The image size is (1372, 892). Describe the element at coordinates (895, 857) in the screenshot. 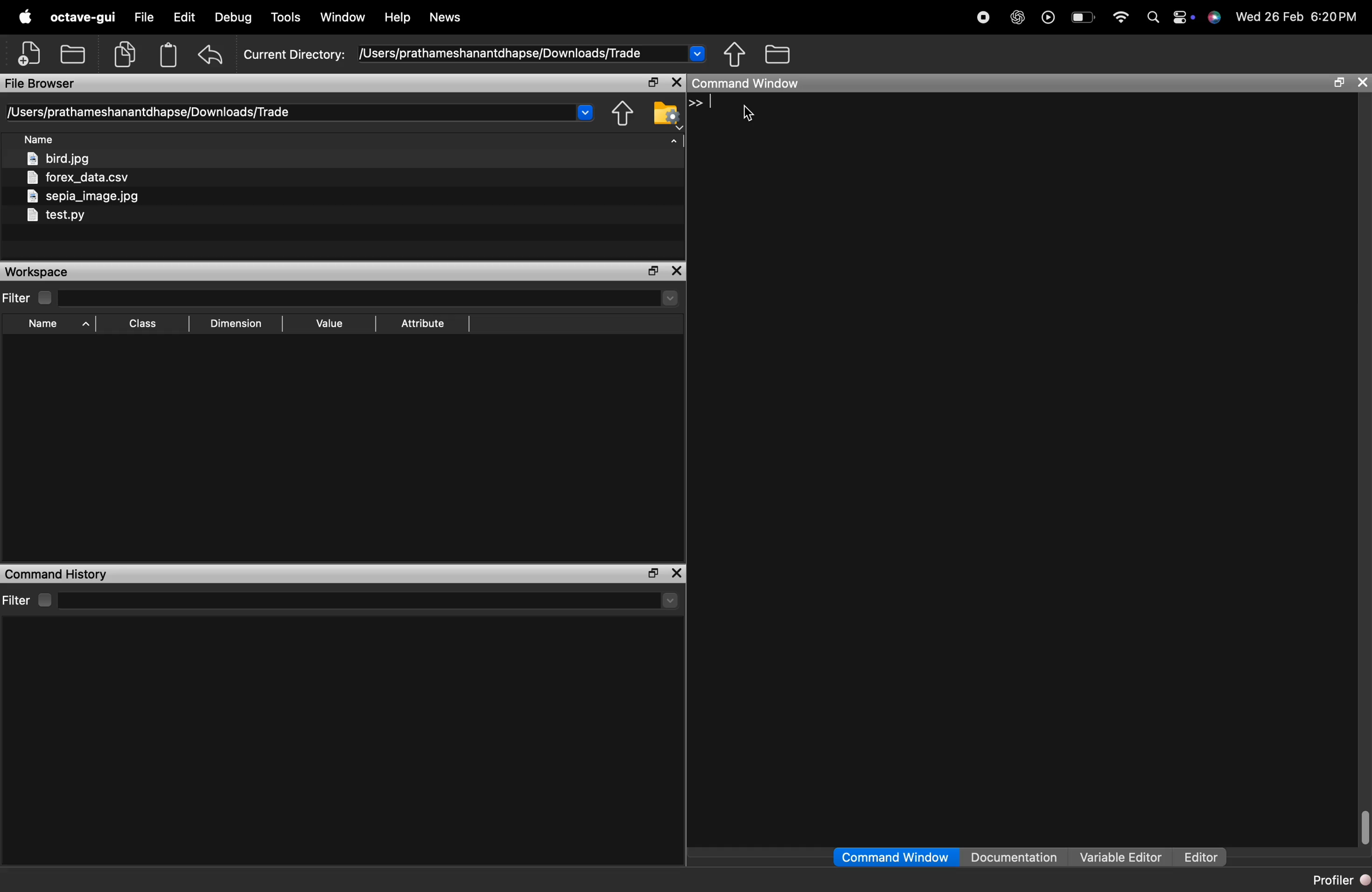

I see `Command Window` at that location.